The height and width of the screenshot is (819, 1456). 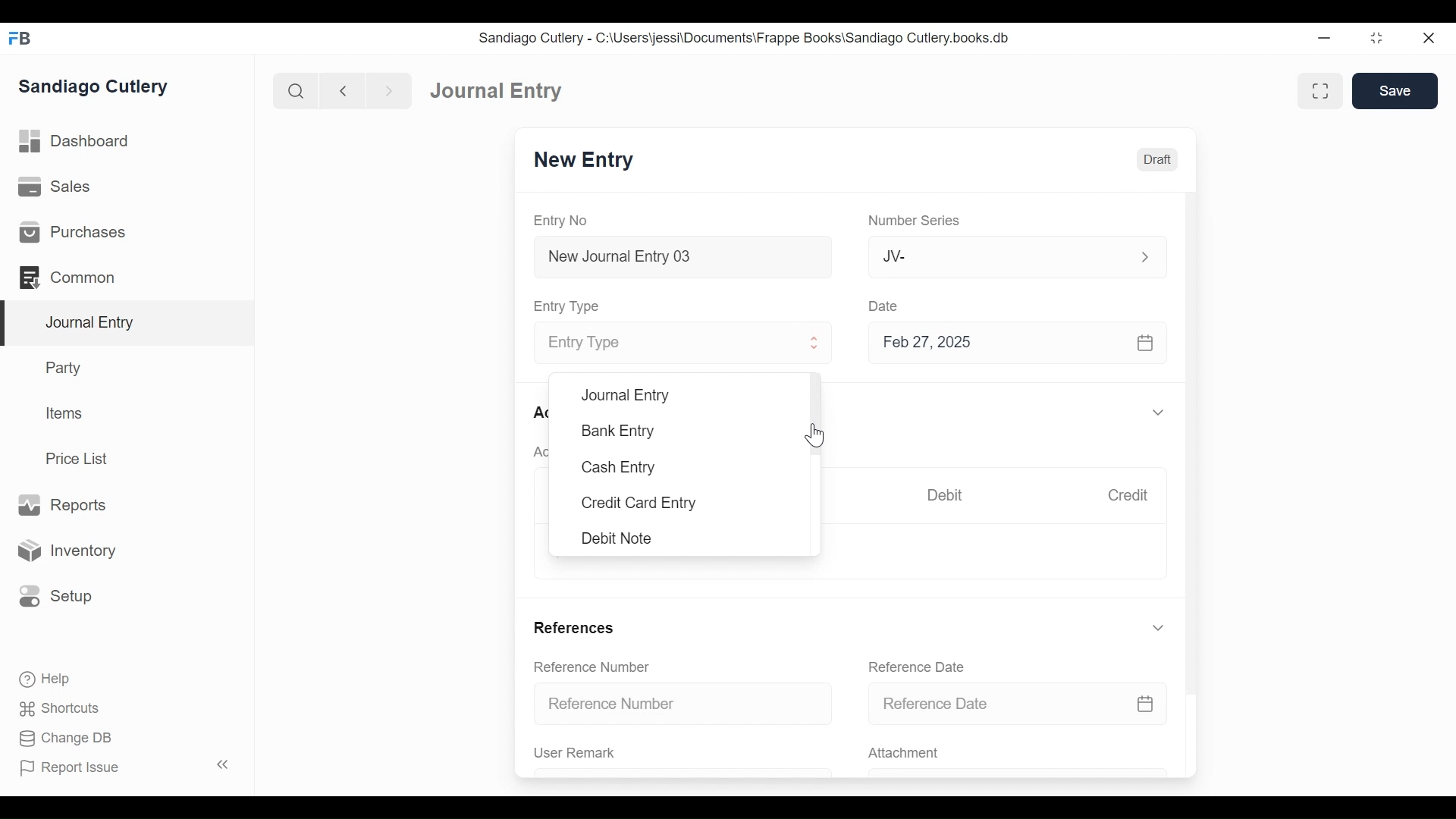 What do you see at coordinates (620, 466) in the screenshot?
I see `Cash Entry` at bounding box center [620, 466].